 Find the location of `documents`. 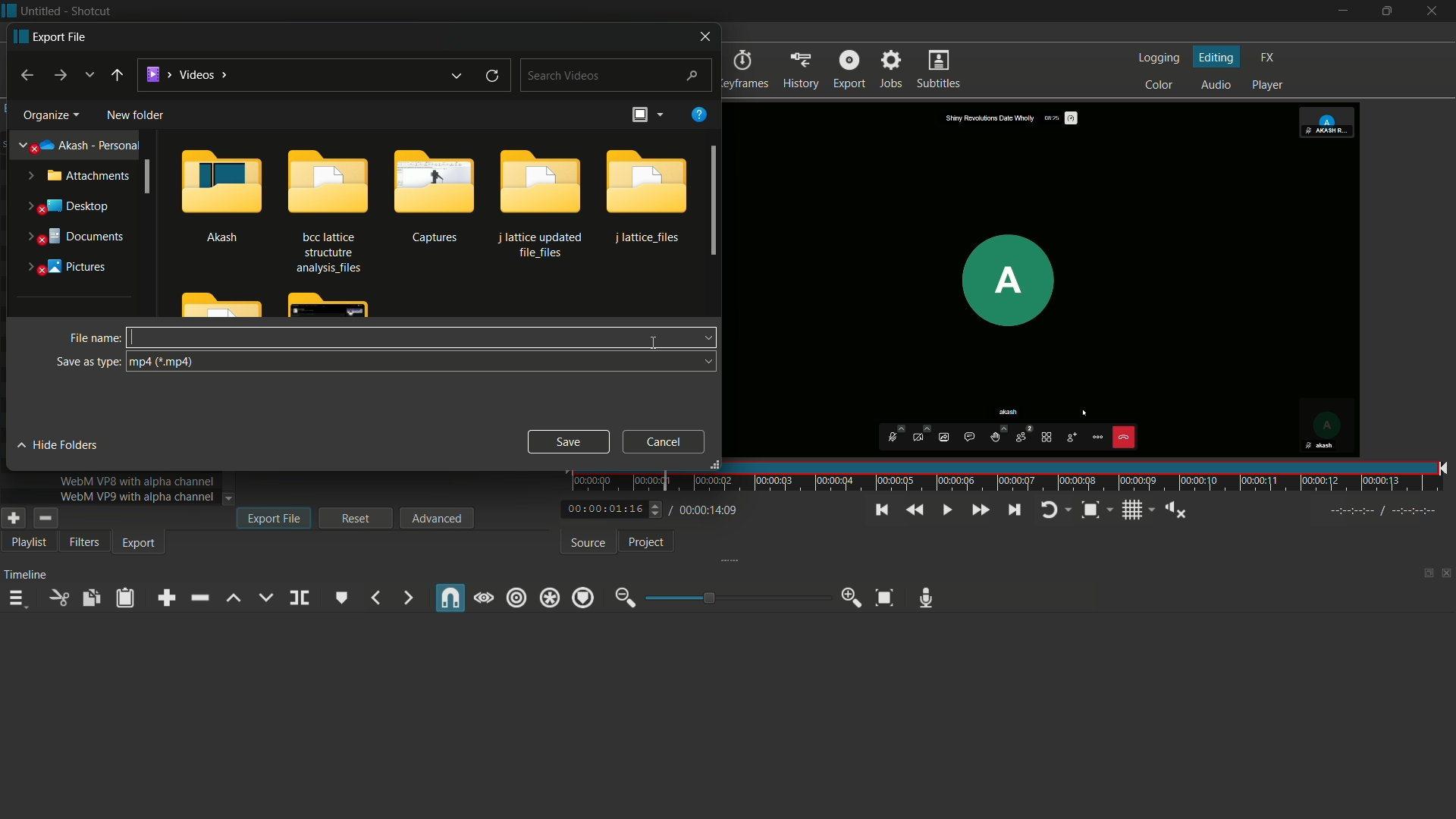

documents is located at coordinates (74, 237).